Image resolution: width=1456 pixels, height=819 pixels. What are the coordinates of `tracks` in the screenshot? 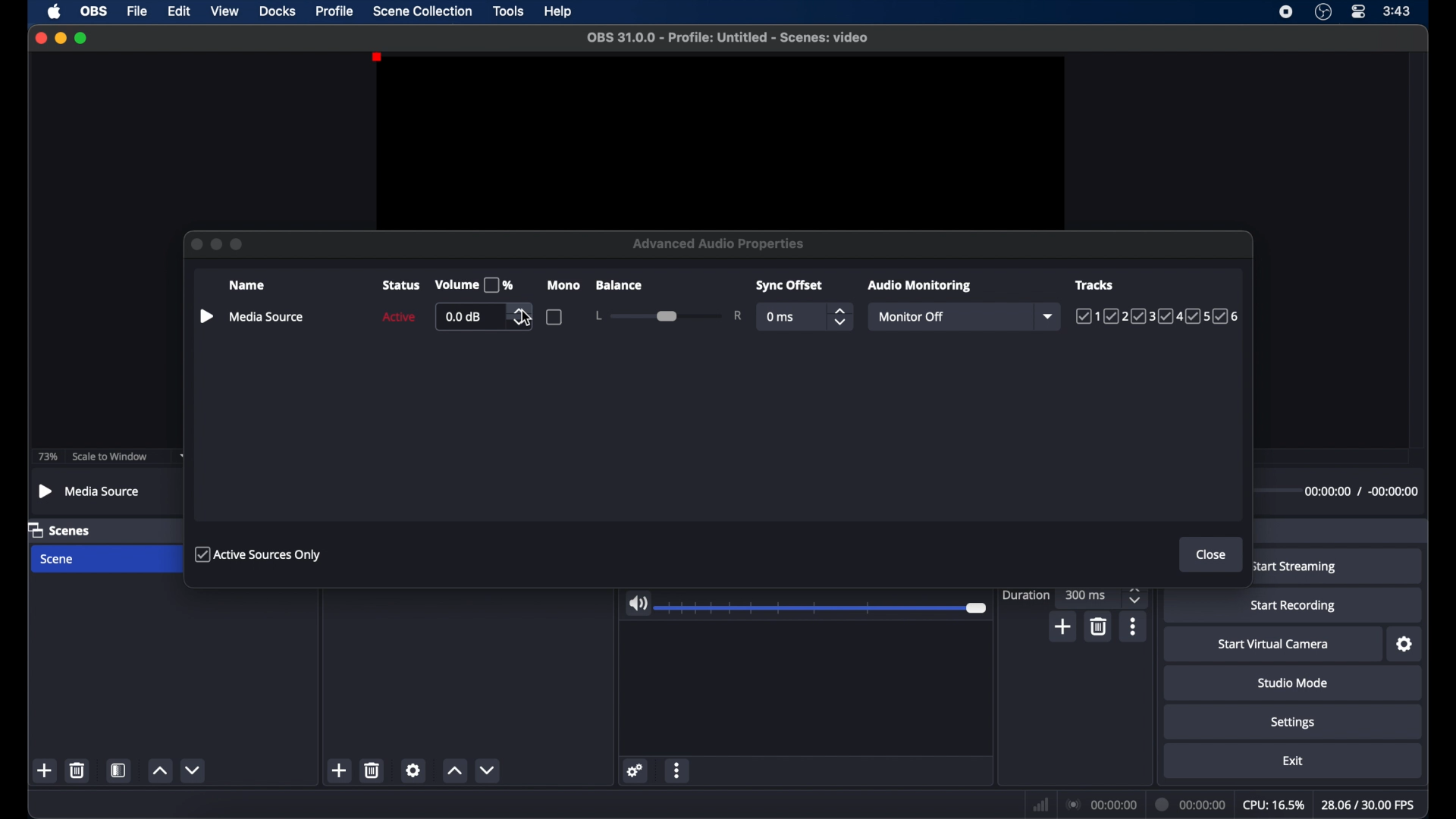 It's located at (1095, 285).